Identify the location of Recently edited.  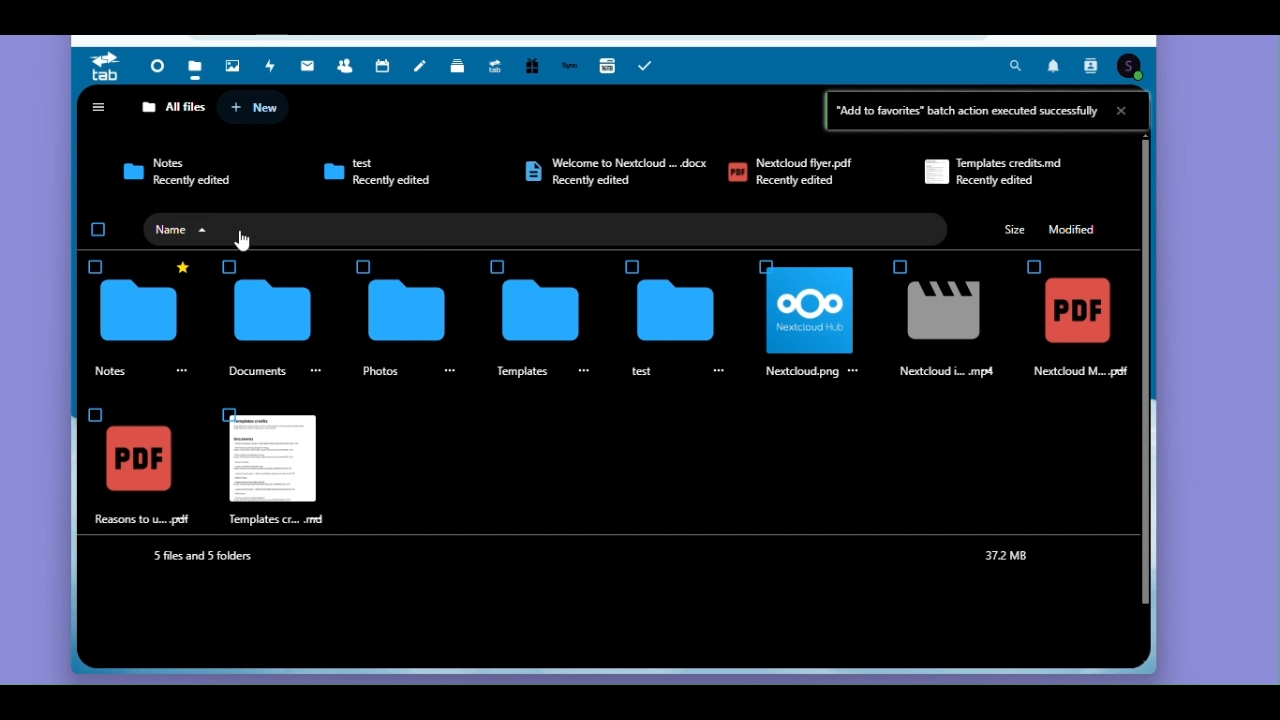
(191, 182).